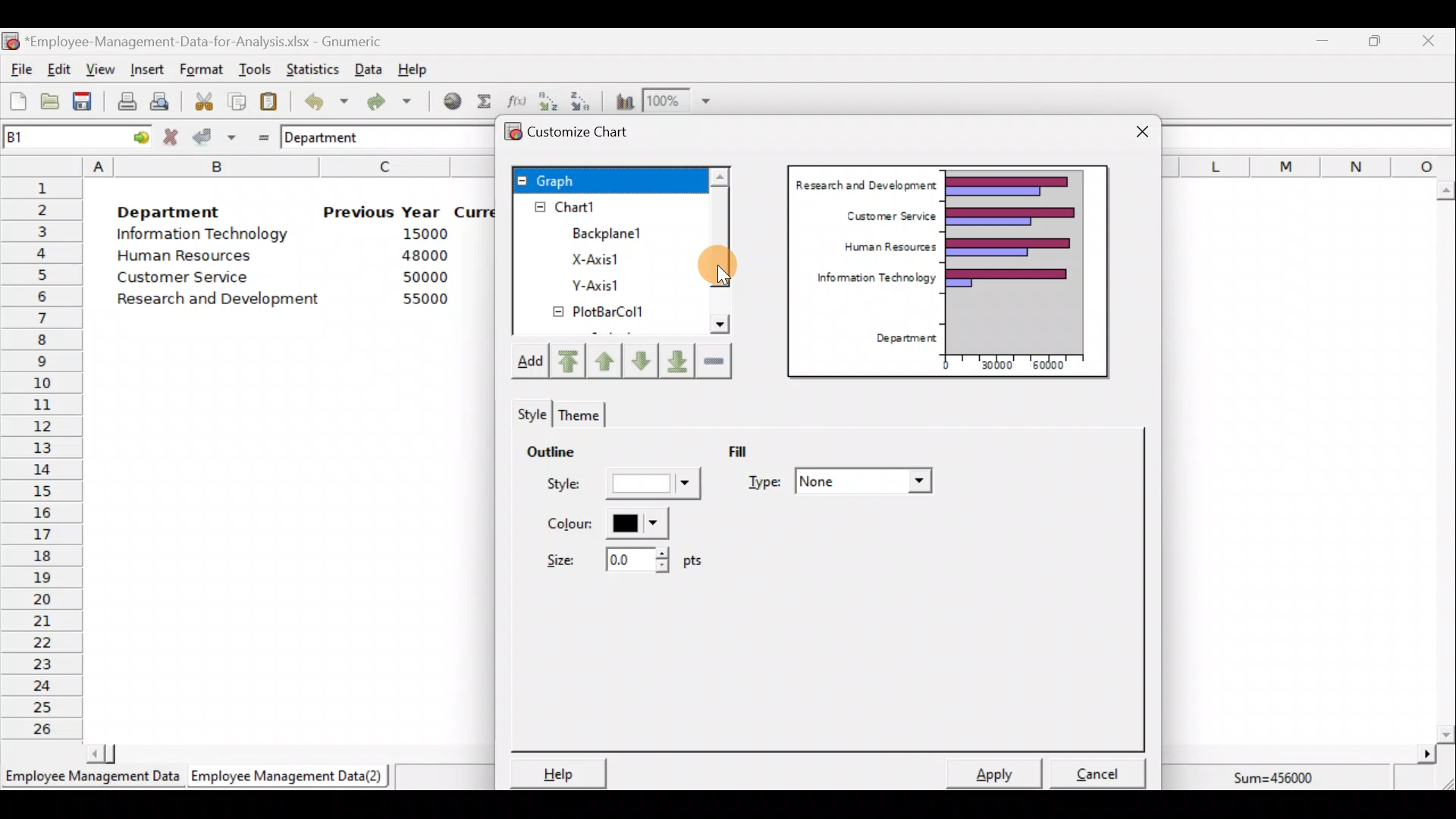  I want to click on Chart1, so click(602, 209).